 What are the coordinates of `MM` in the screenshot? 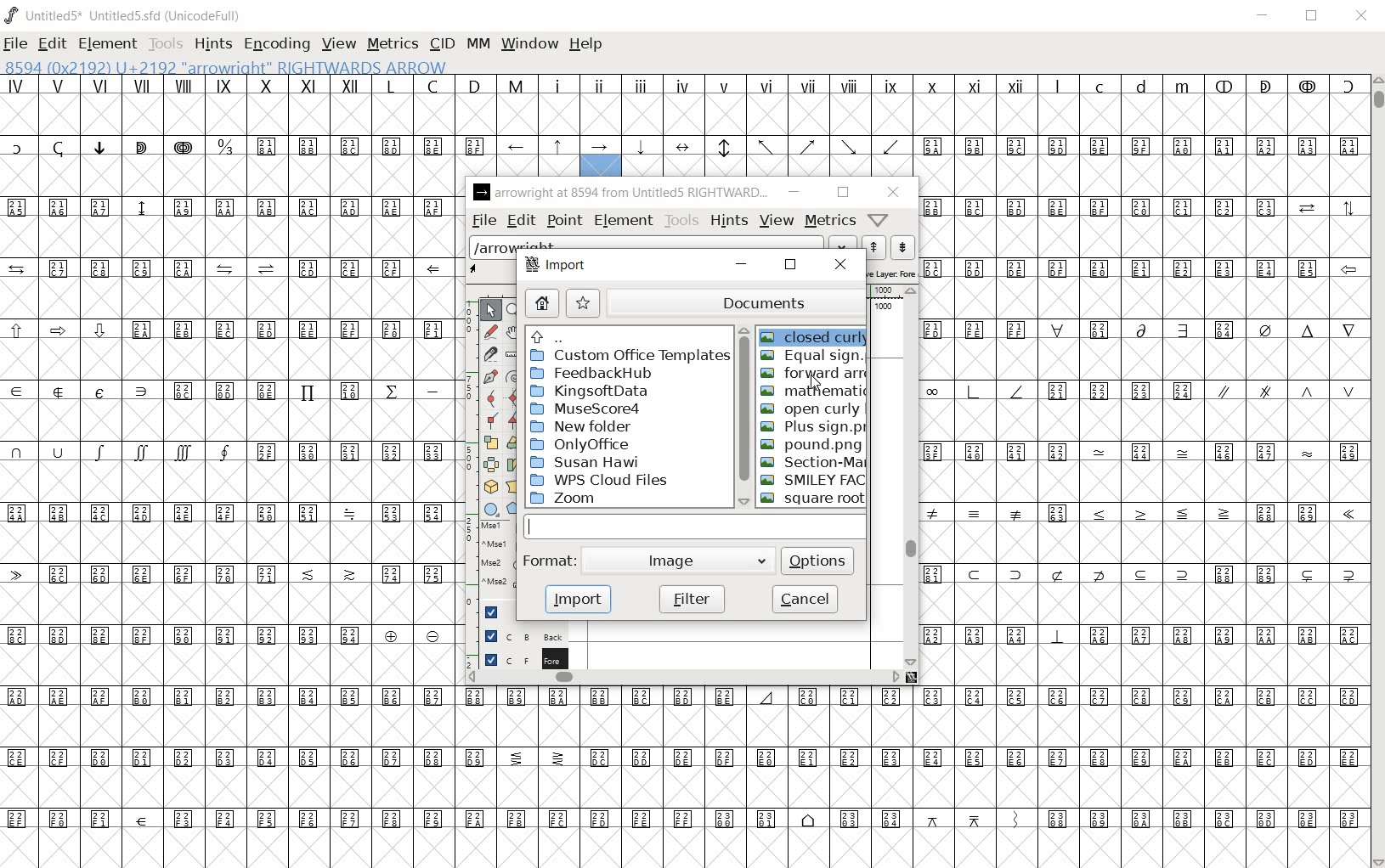 It's located at (480, 45).